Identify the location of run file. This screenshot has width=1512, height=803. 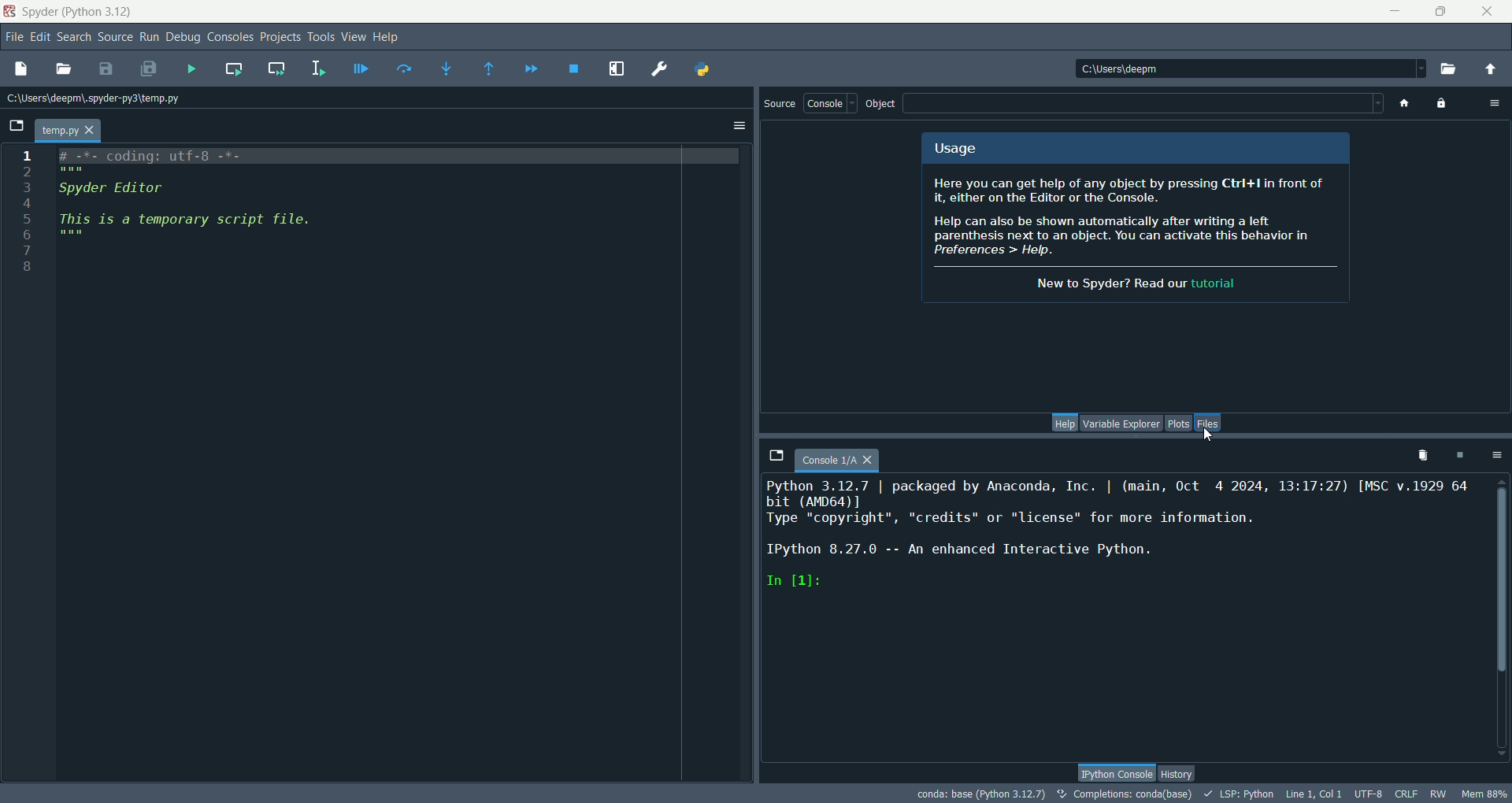
(192, 68).